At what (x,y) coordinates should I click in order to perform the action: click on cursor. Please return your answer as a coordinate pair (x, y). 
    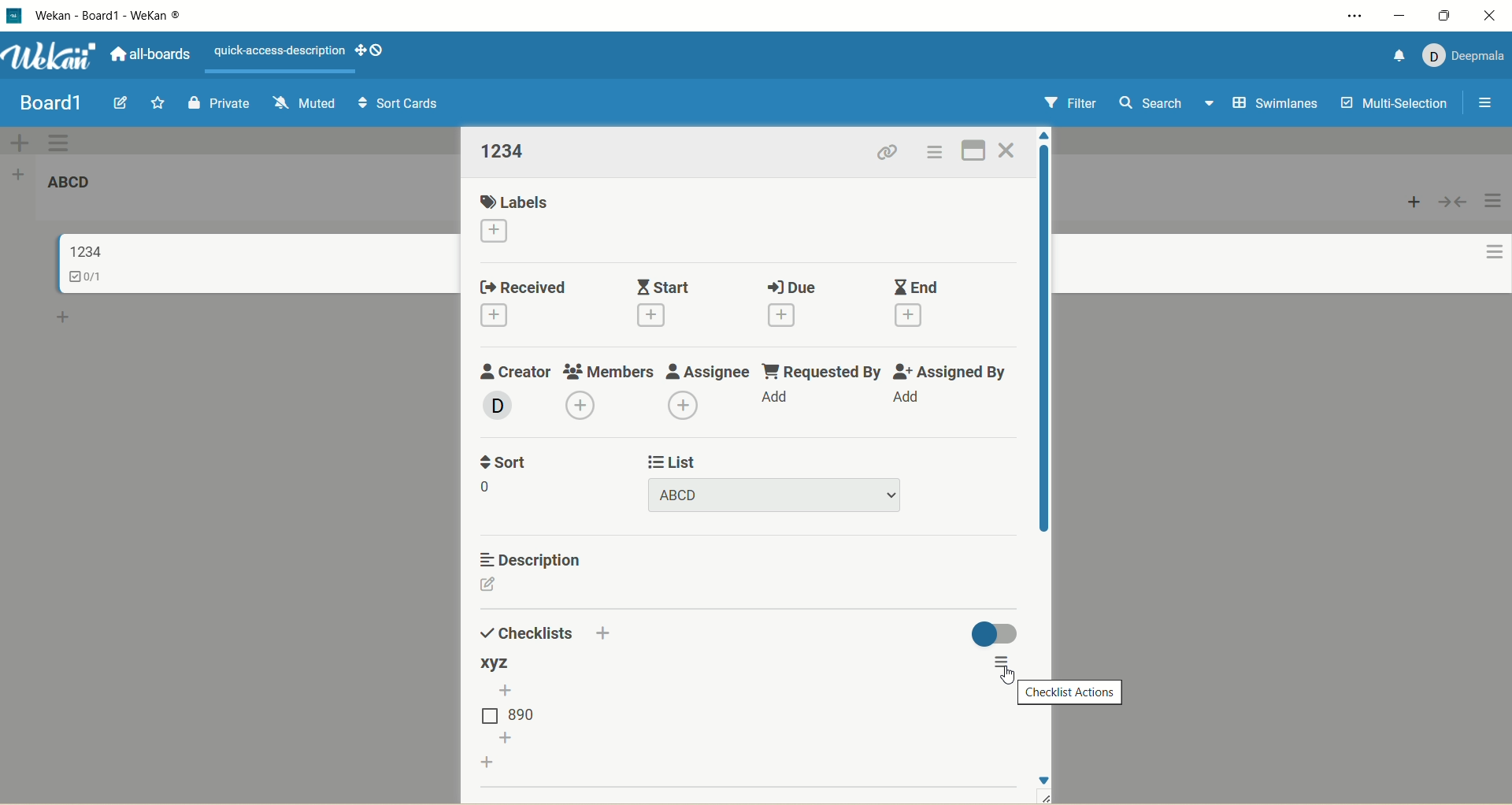
    Looking at the image, I should click on (1004, 675).